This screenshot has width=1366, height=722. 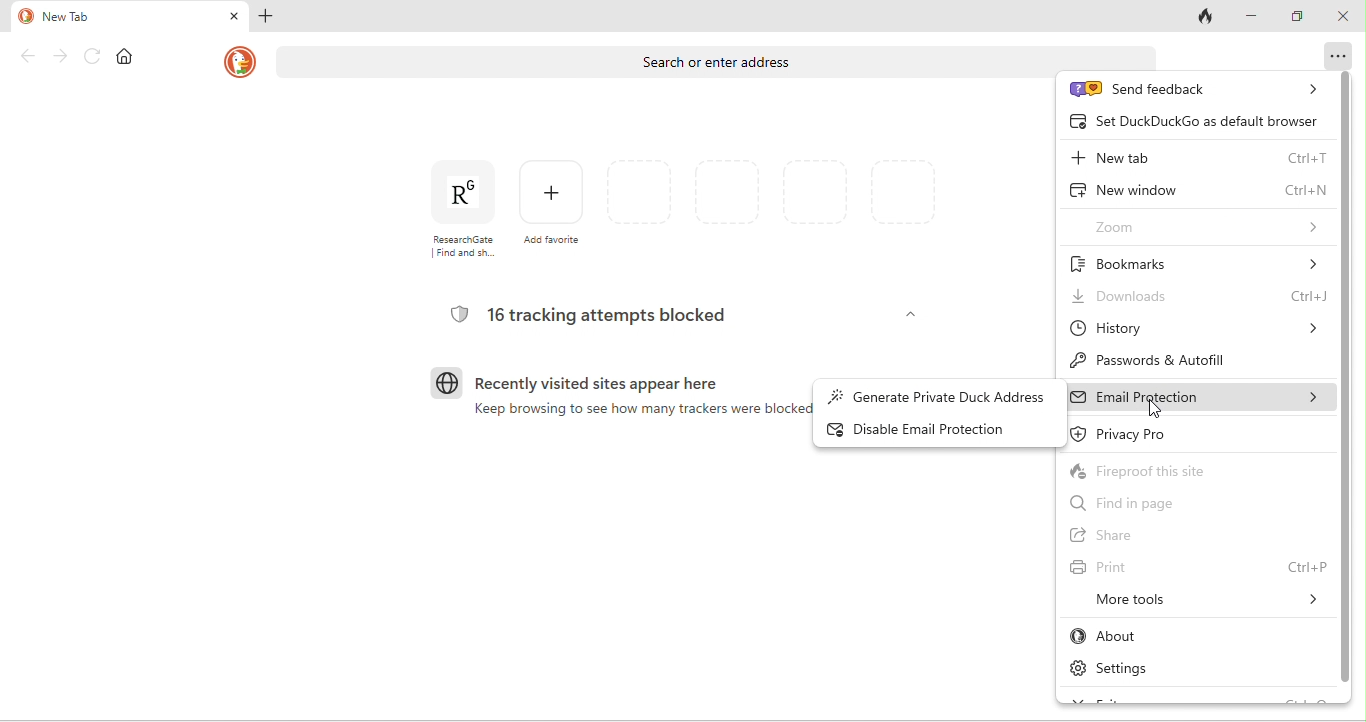 What do you see at coordinates (1259, 17) in the screenshot?
I see `minimize` at bounding box center [1259, 17].